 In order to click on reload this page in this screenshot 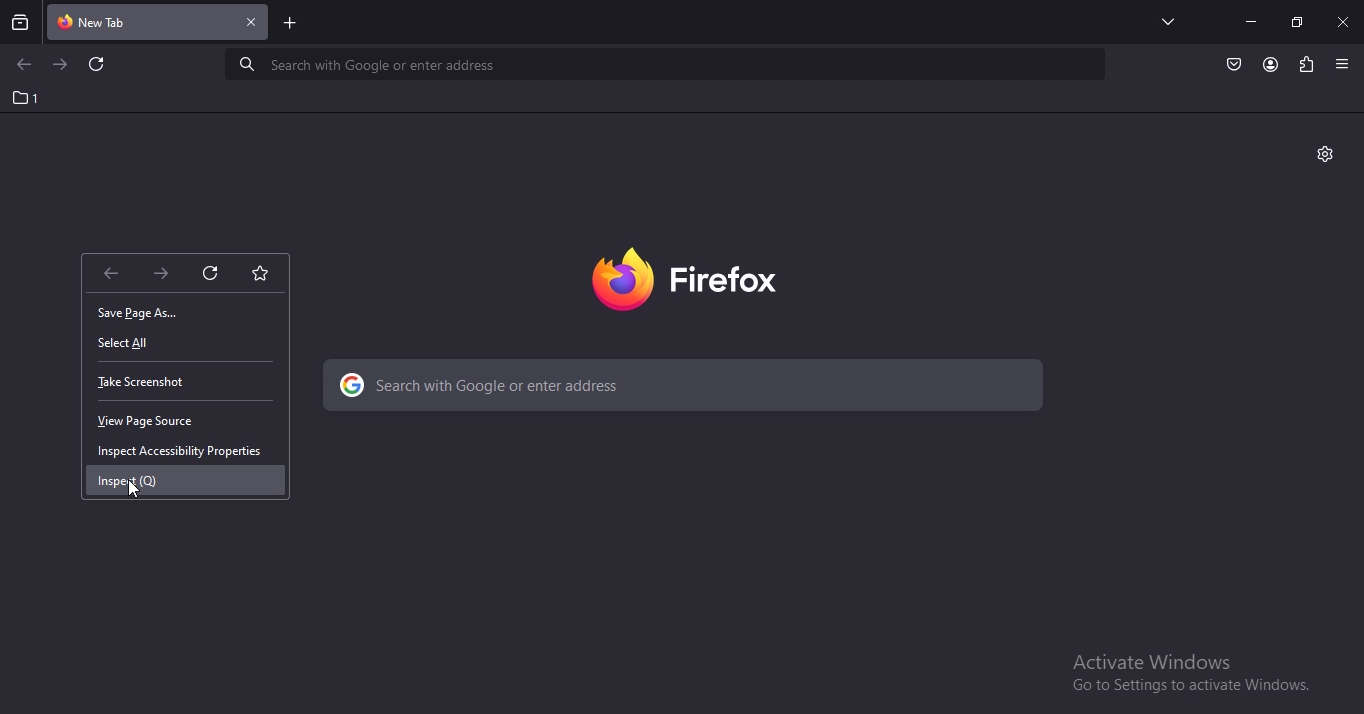, I will do `click(213, 274)`.